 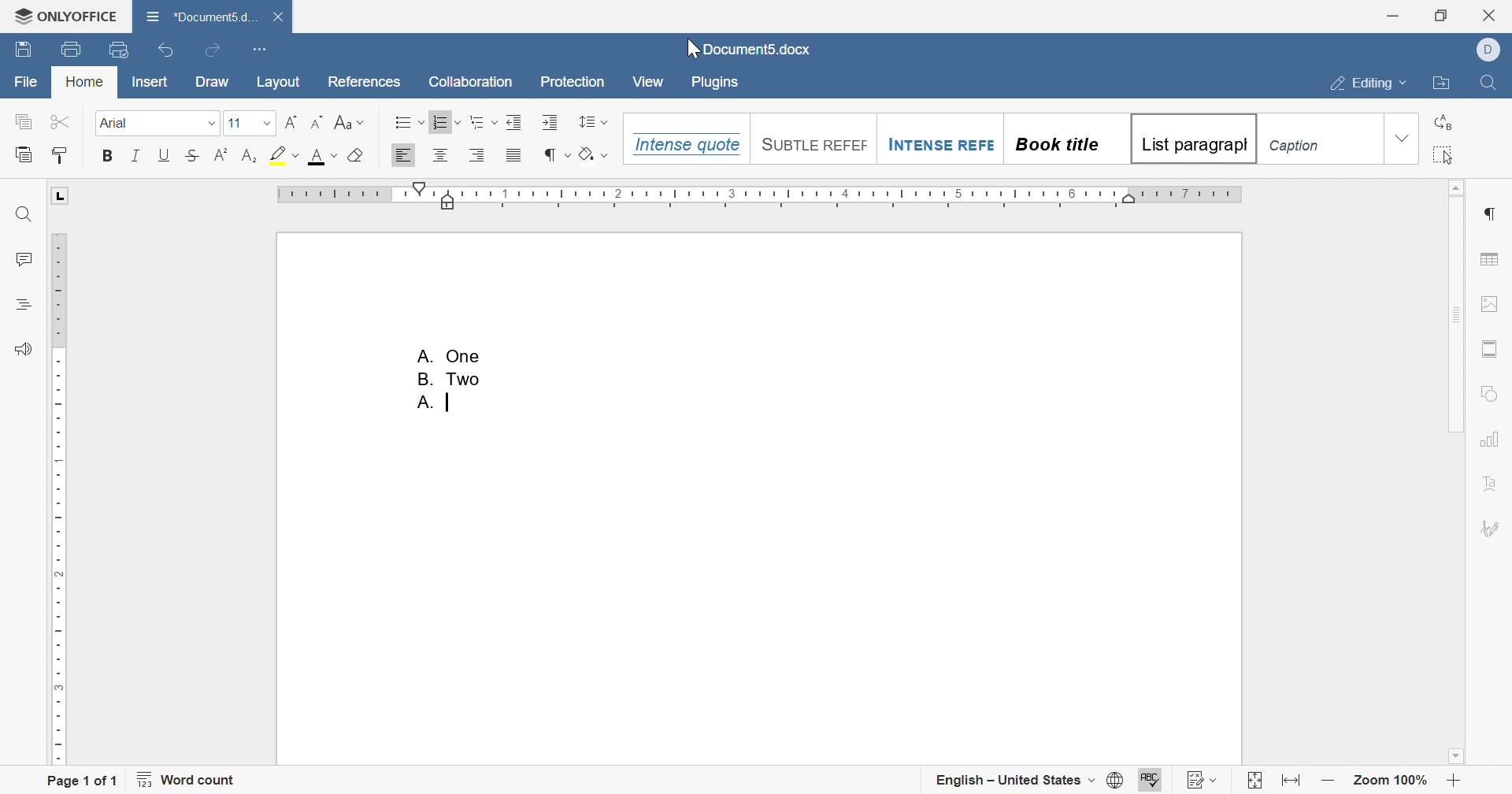 What do you see at coordinates (1299, 147) in the screenshot?
I see `Caption ` at bounding box center [1299, 147].